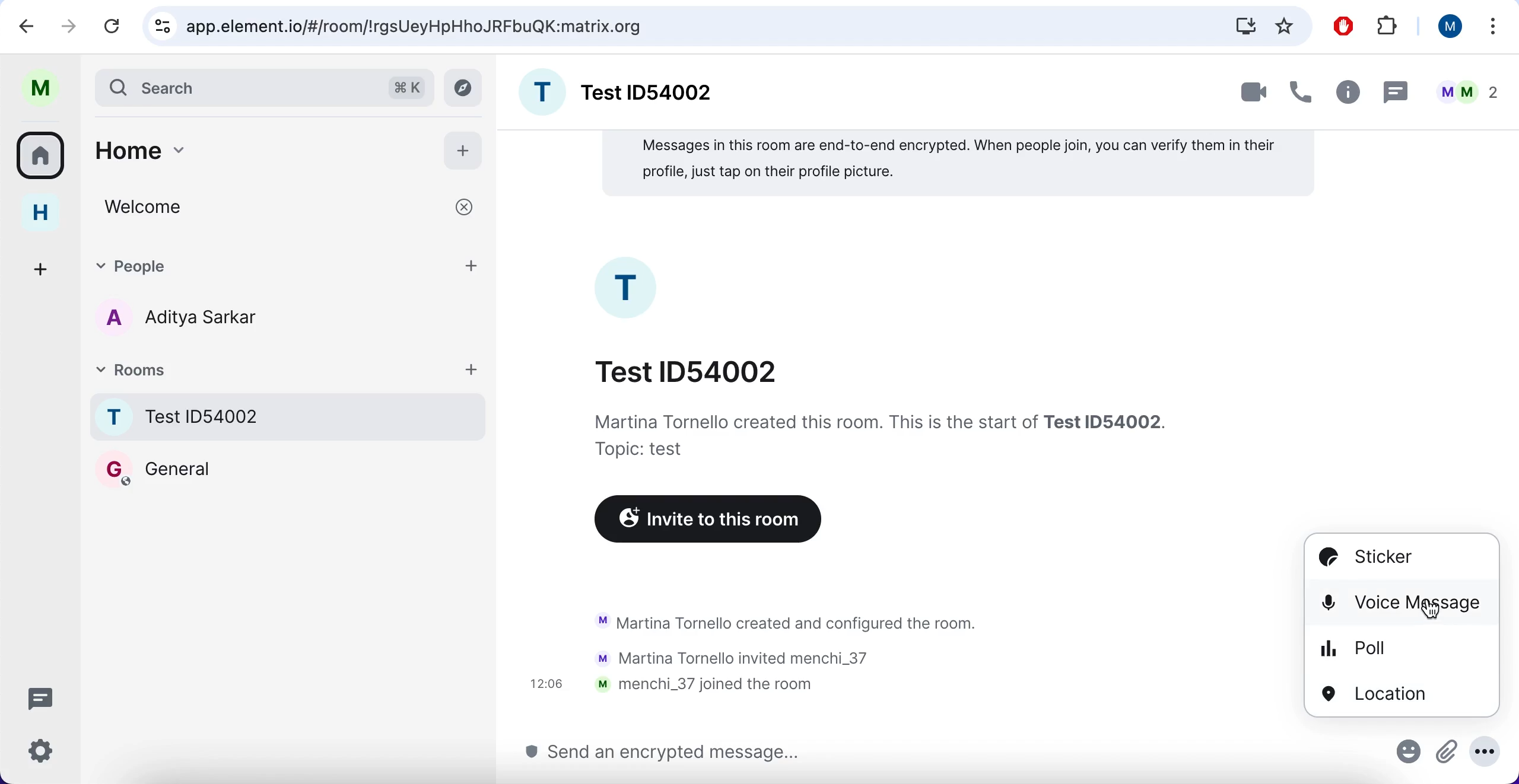 Image resolution: width=1519 pixels, height=784 pixels. I want to click on thread, so click(1397, 90).